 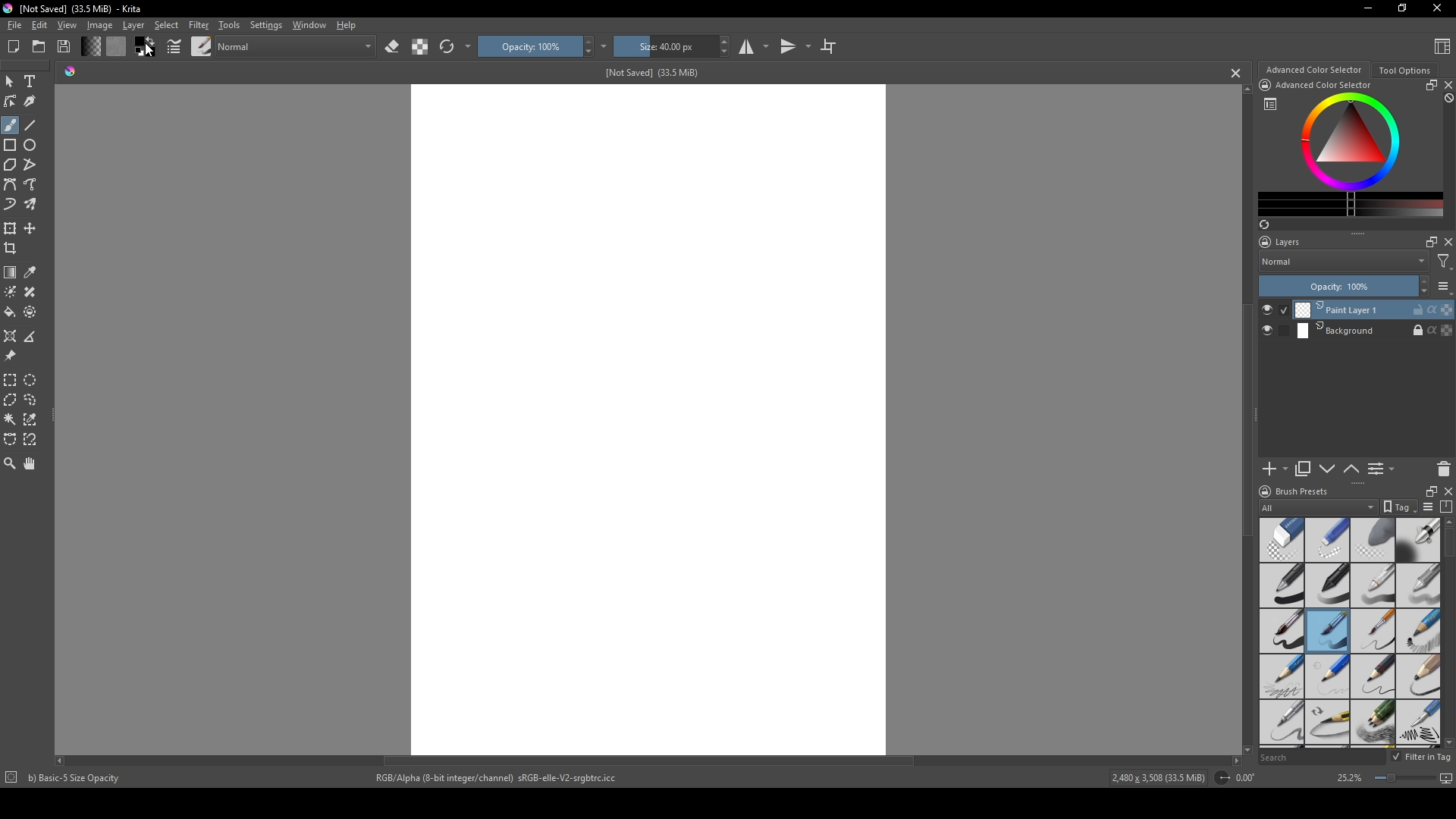 I want to click on sharp pencil, so click(x=1281, y=723).